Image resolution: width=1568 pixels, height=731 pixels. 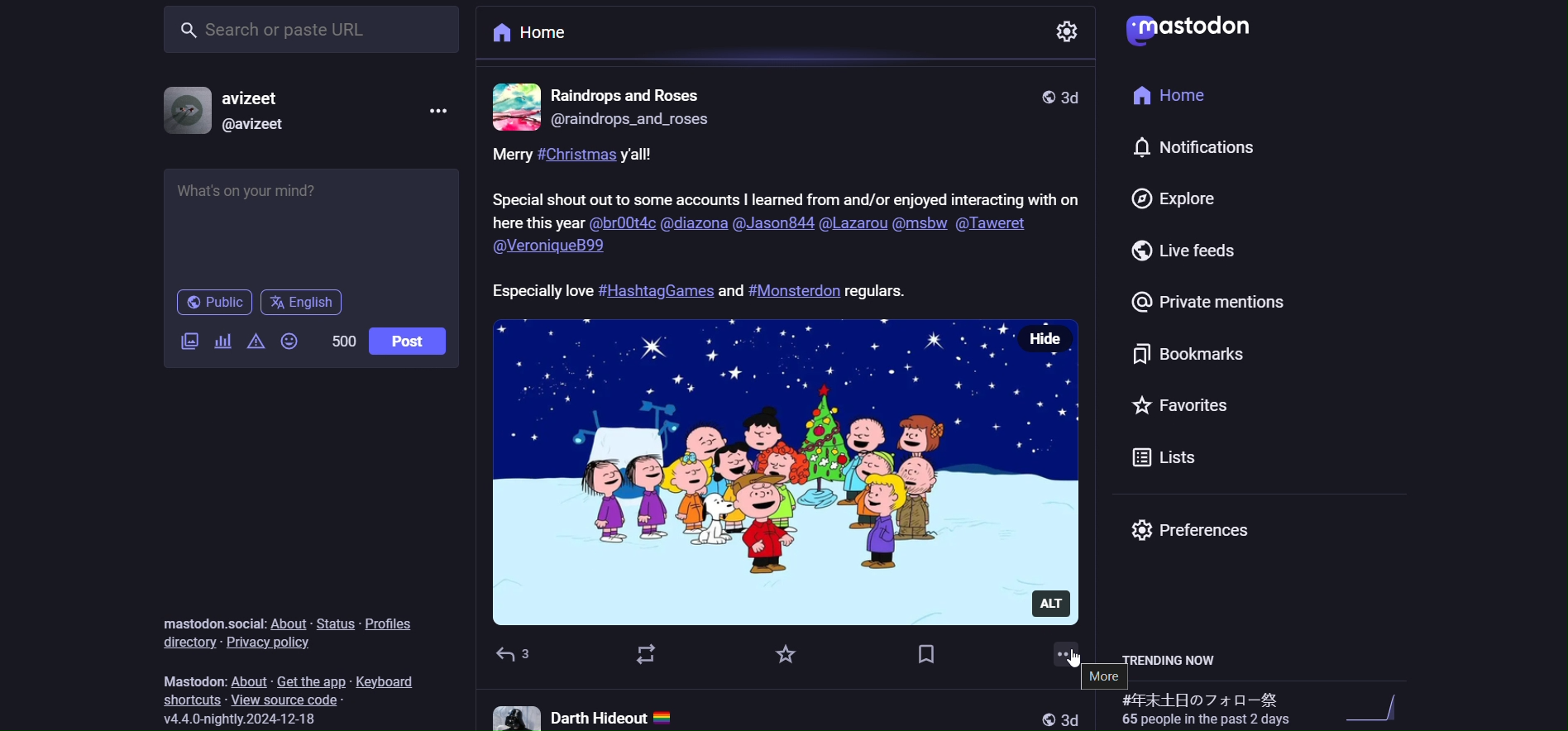 What do you see at coordinates (313, 32) in the screenshot?
I see `search` at bounding box center [313, 32].